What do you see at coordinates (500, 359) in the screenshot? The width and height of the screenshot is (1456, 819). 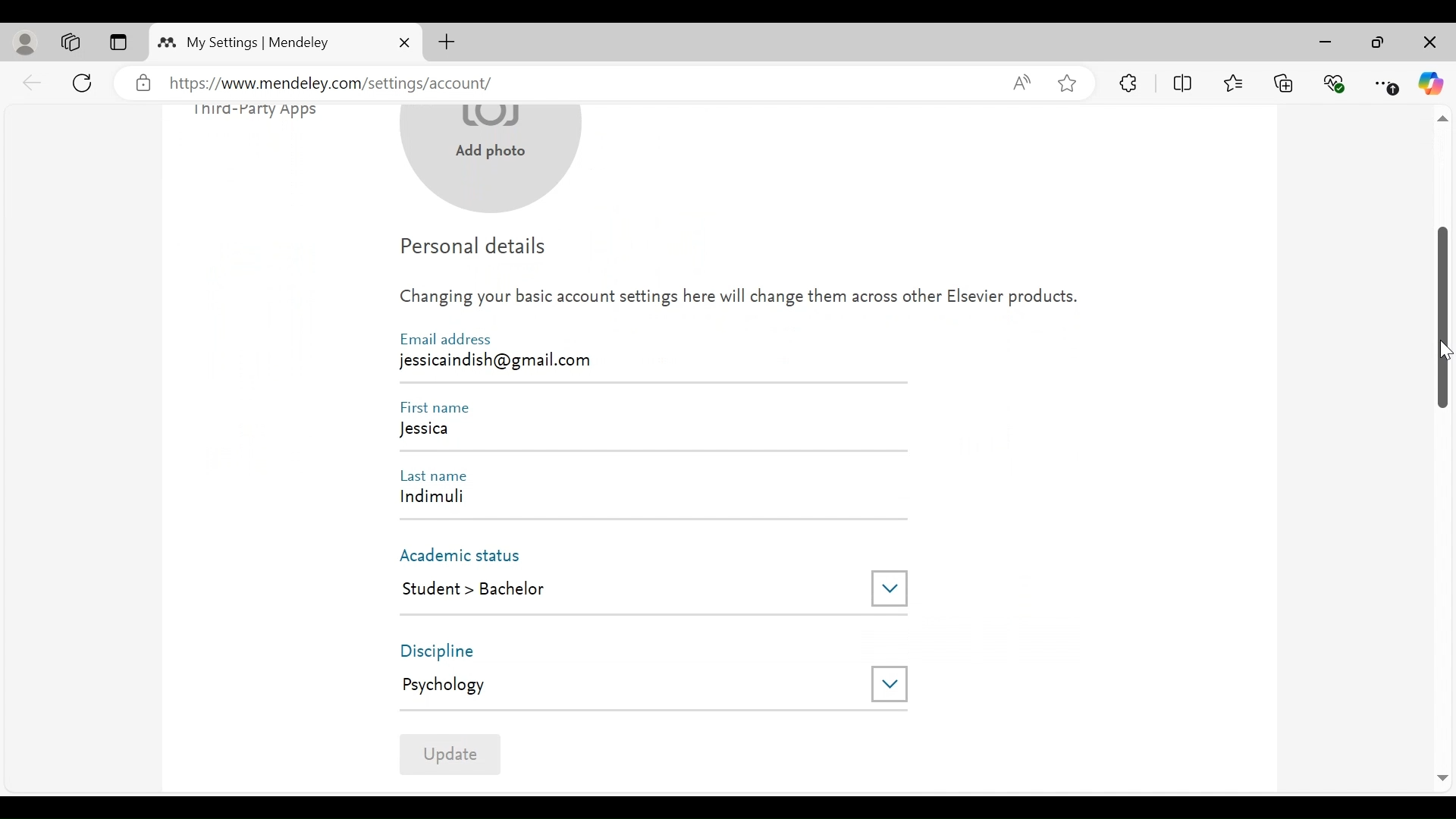 I see `jessicaindish@gmail.com` at bounding box center [500, 359].